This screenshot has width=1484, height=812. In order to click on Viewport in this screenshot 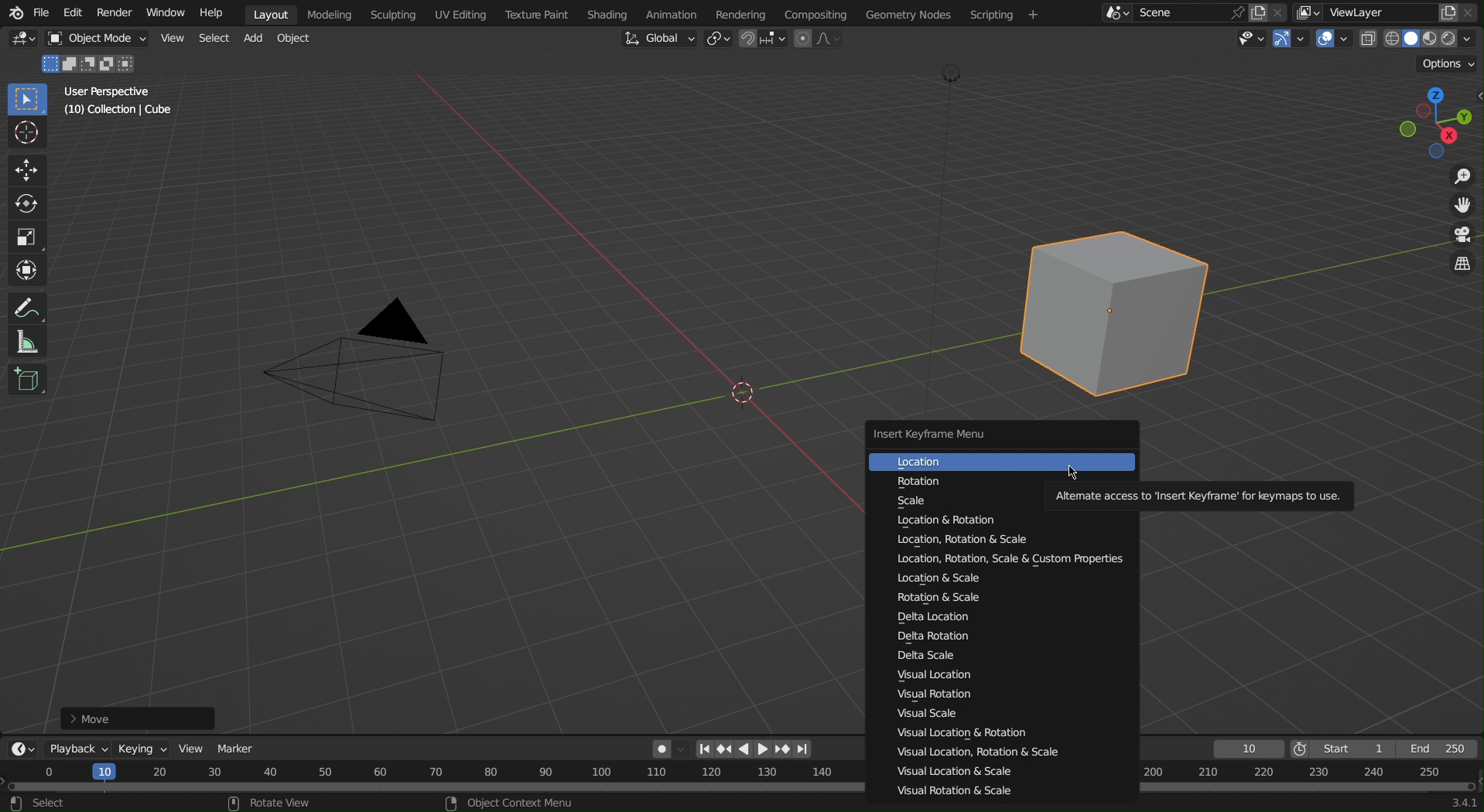, I will do `click(1431, 118)`.